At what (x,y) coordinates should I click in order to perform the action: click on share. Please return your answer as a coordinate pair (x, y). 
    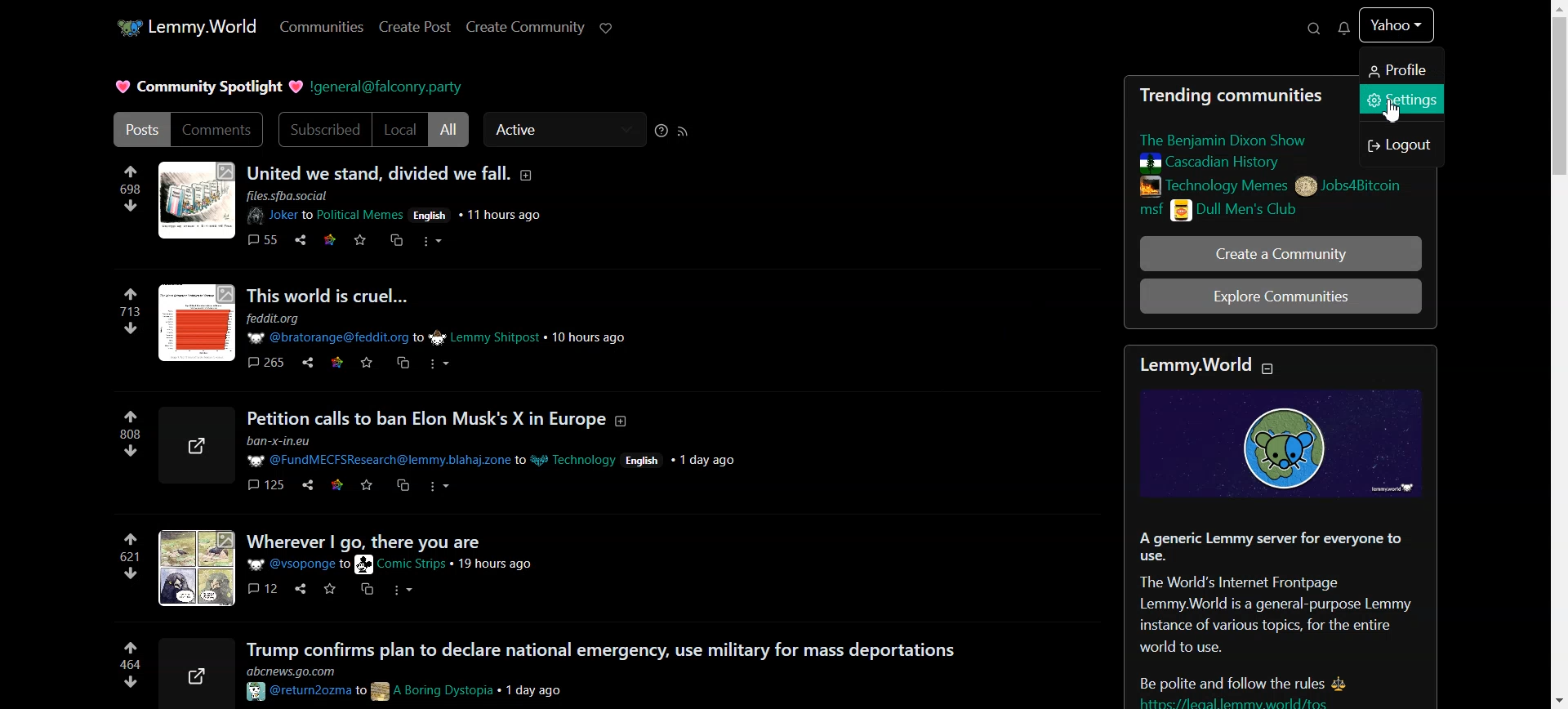
    Looking at the image, I should click on (302, 595).